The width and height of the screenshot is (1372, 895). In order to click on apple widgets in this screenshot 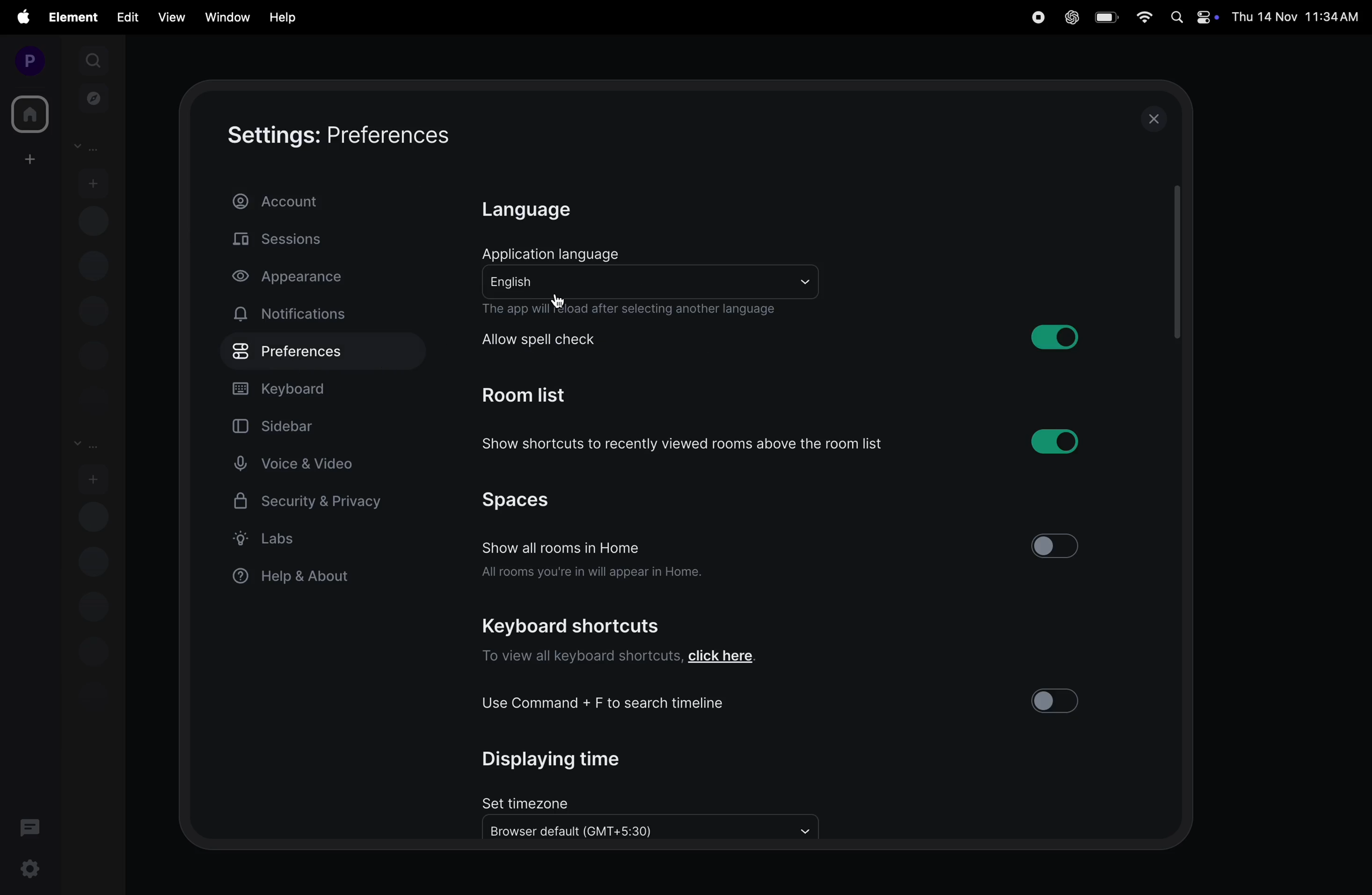, I will do `click(1190, 17)`.